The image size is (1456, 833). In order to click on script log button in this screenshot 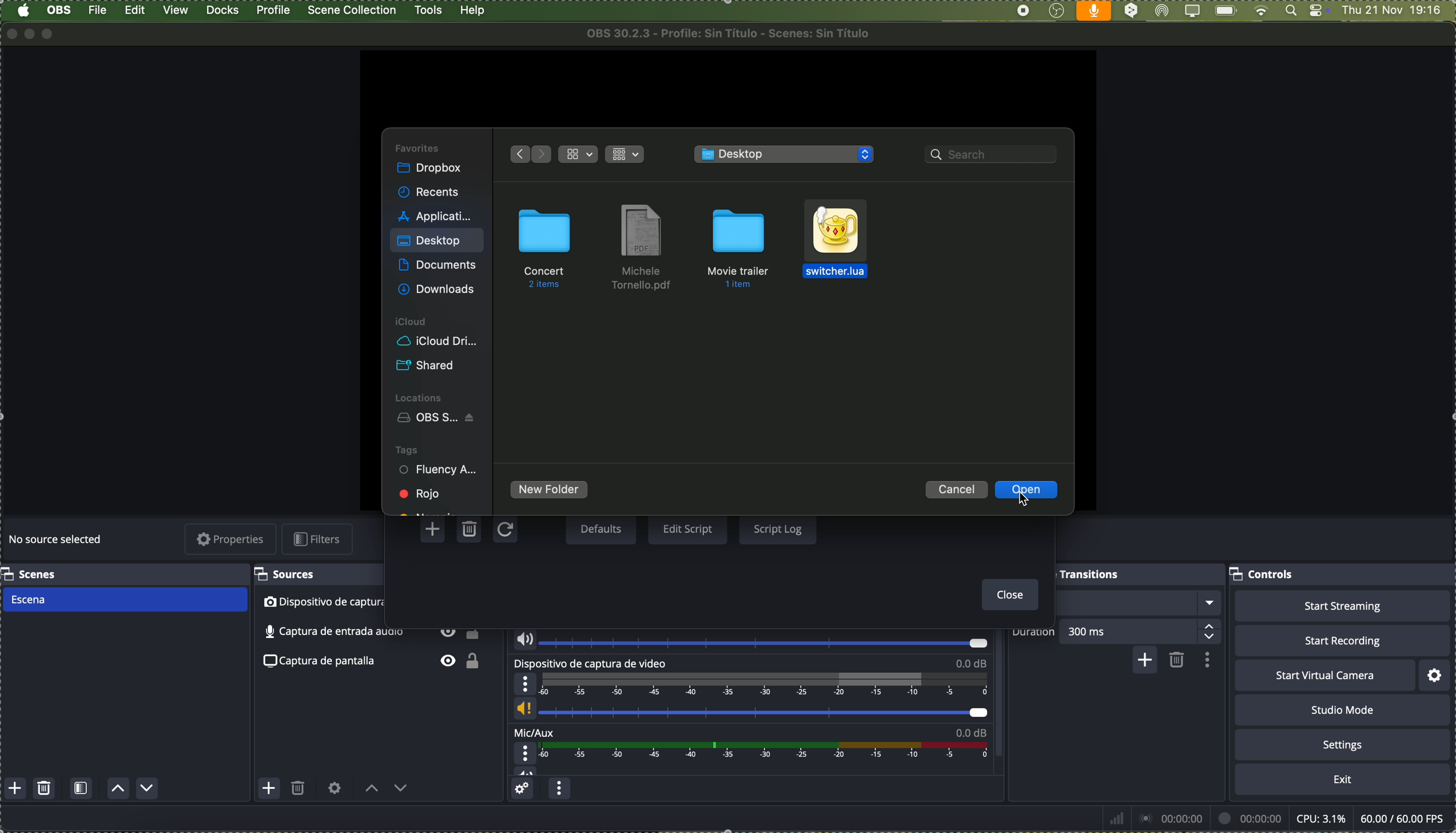, I will do `click(777, 528)`.